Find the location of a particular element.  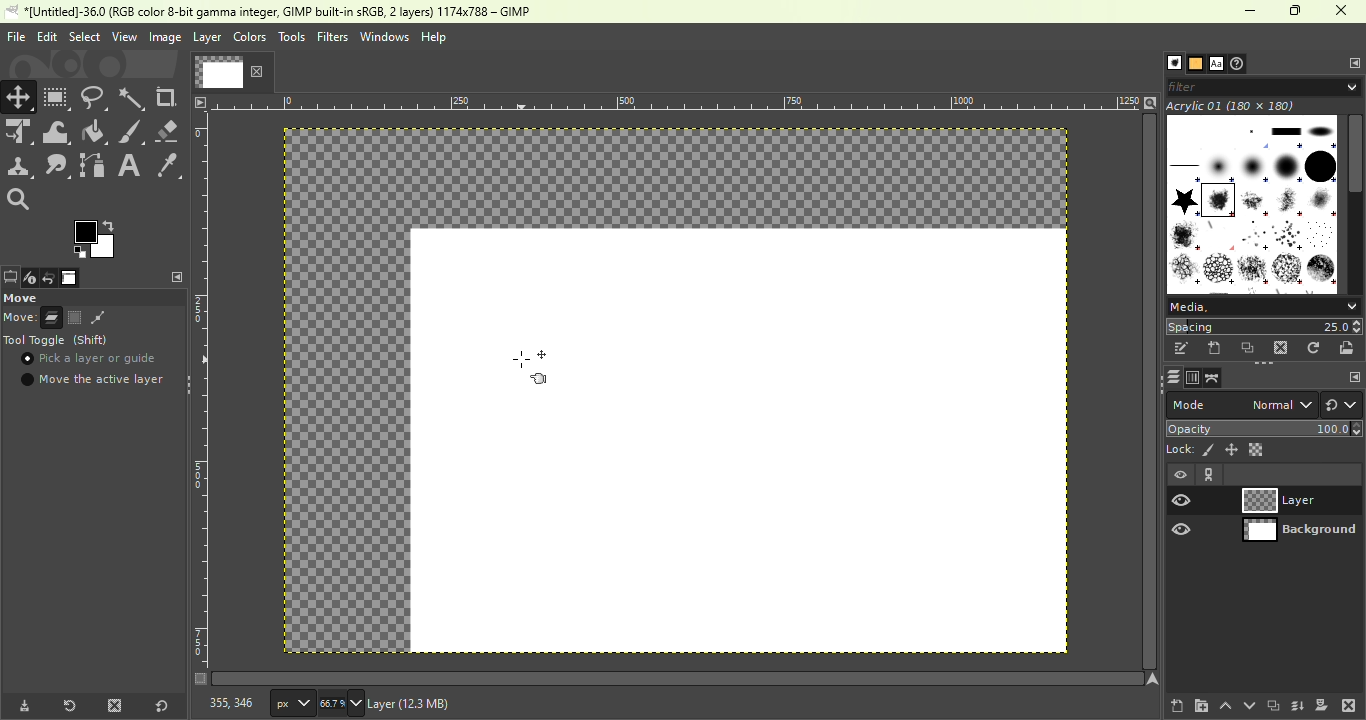

Paths is located at coordinates (1213, 378).